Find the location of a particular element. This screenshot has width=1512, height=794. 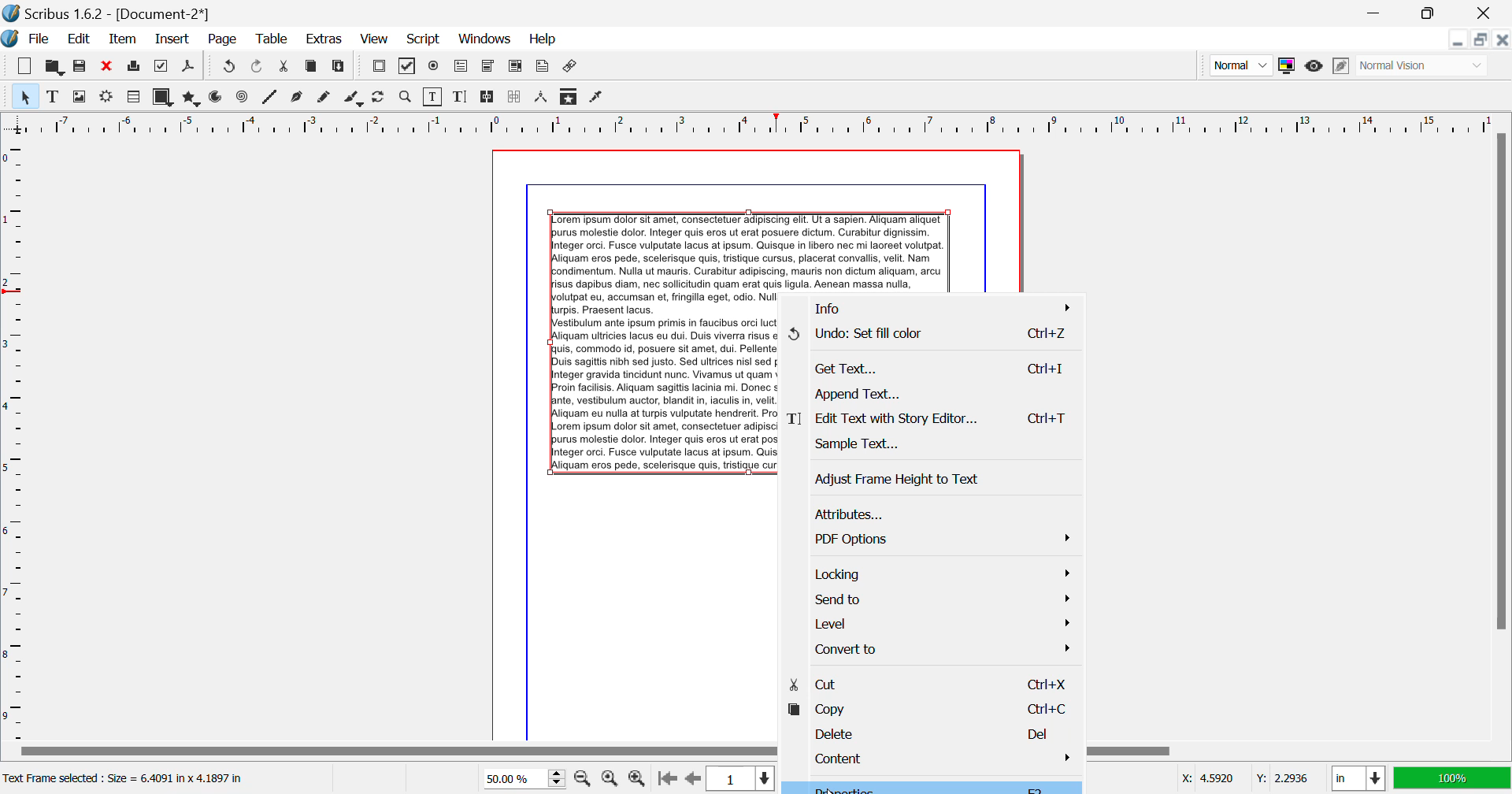

Pdf Radio Button is located at coordinates (434, 68).